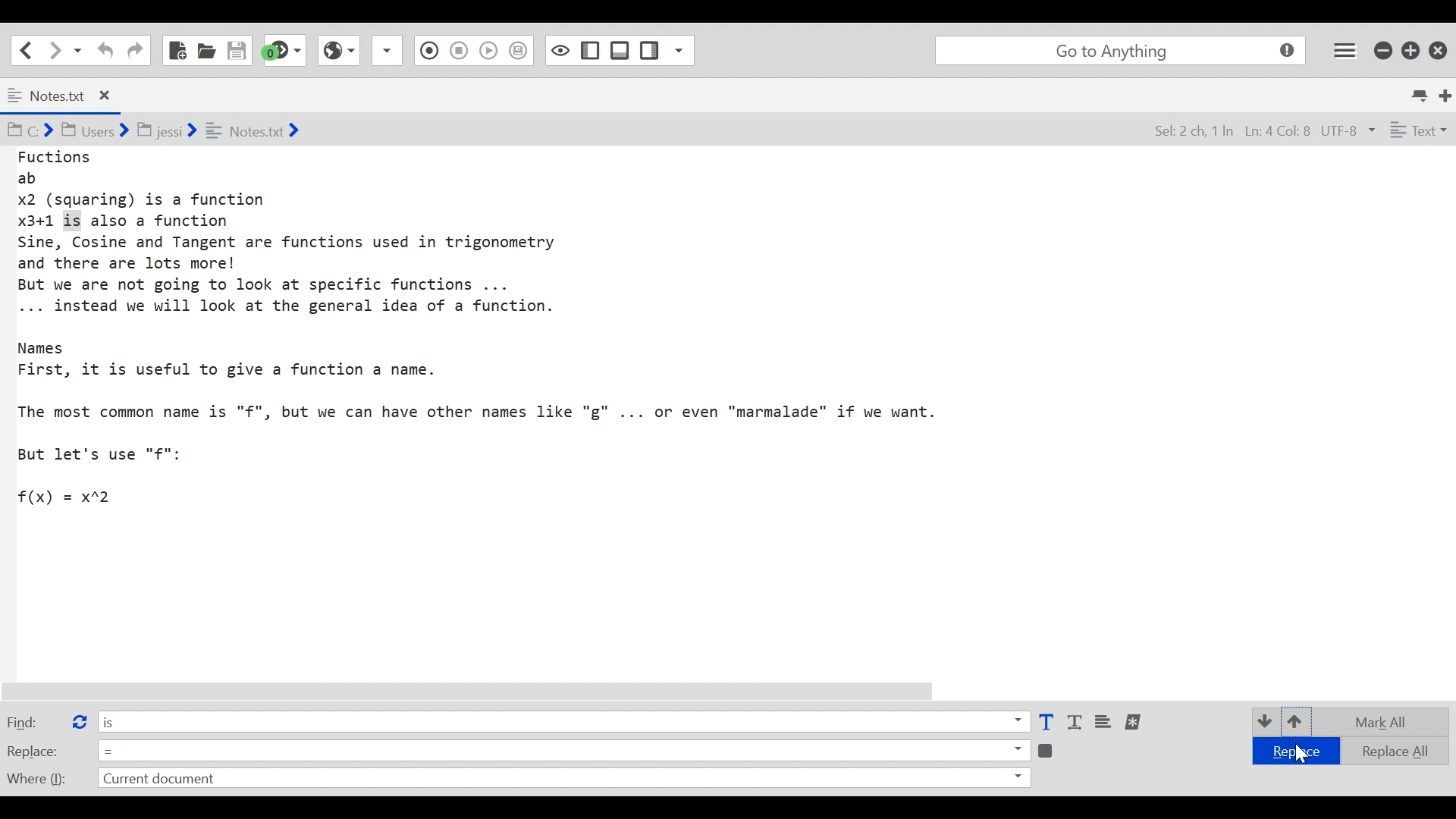  What do you see at coordinates (427, 52) in the screenshot?
I see `Stop Recording Macro` at bounding box center [427, 52].